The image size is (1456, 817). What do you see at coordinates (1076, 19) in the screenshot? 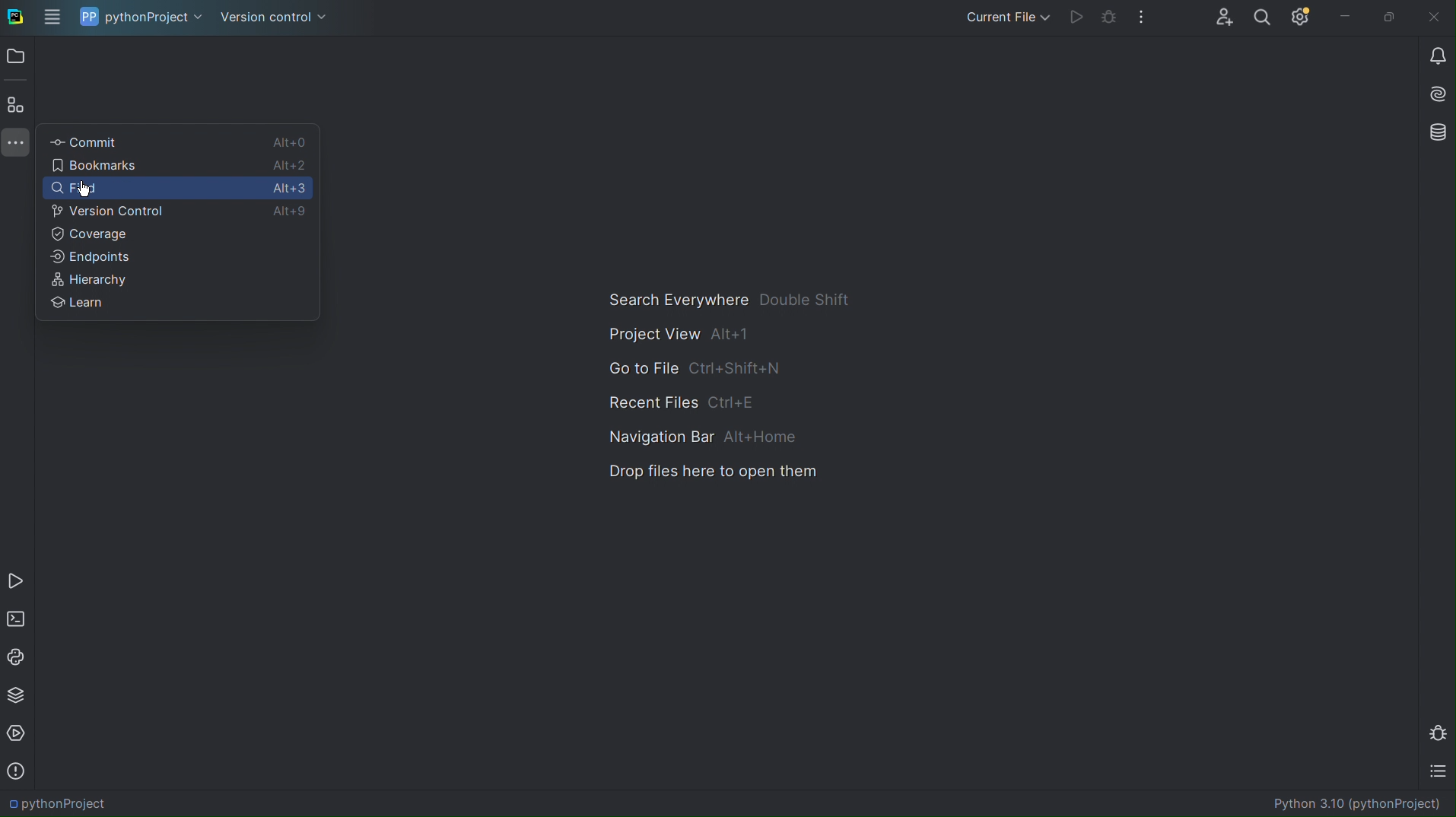
I see `Run` at bounding box center [1076, 19].